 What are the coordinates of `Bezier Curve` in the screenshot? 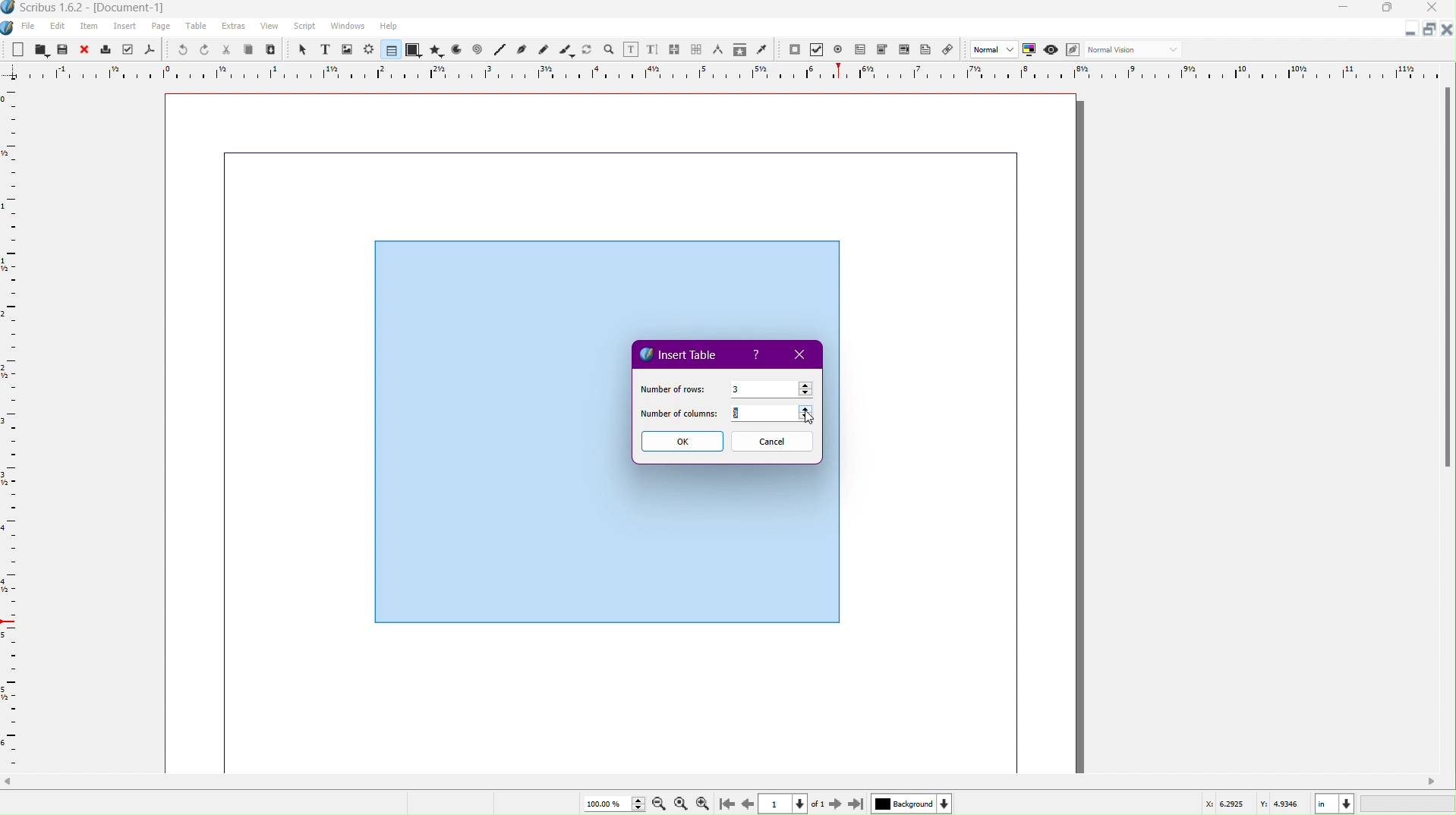 It's located at (522, 50).